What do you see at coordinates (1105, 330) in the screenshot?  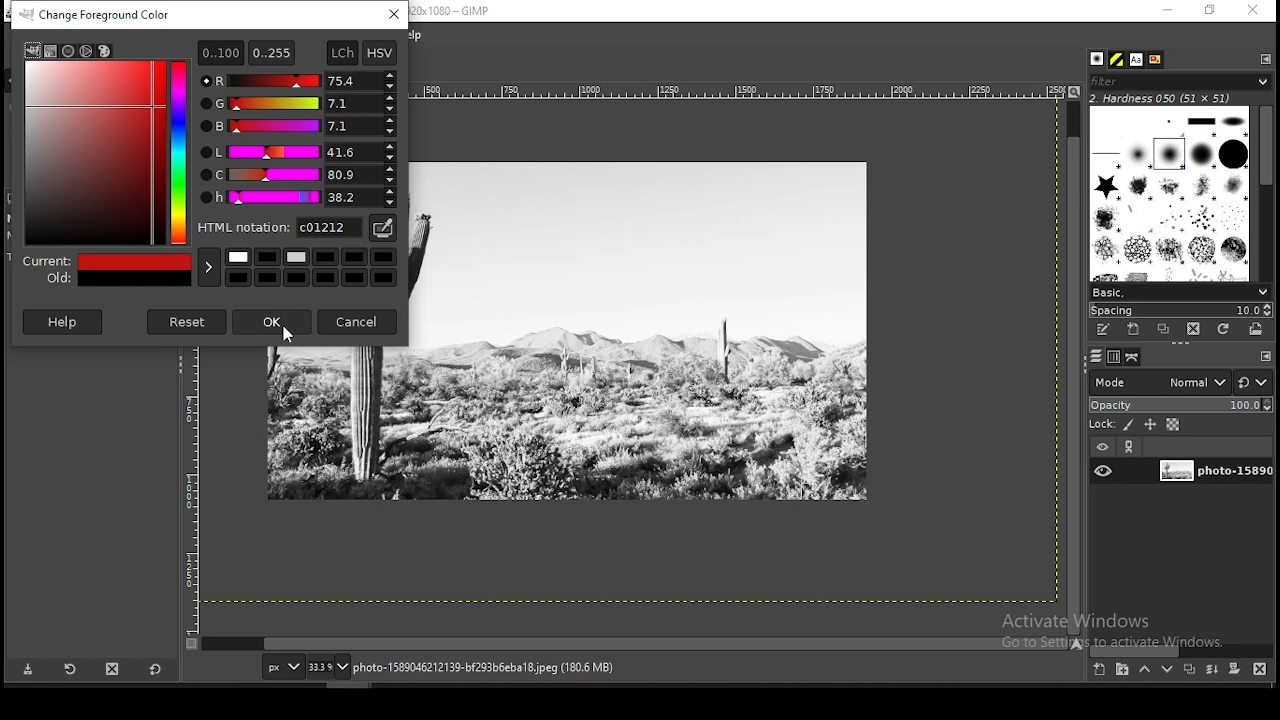 I see `edit brush` at bounding box center [1105, 330].